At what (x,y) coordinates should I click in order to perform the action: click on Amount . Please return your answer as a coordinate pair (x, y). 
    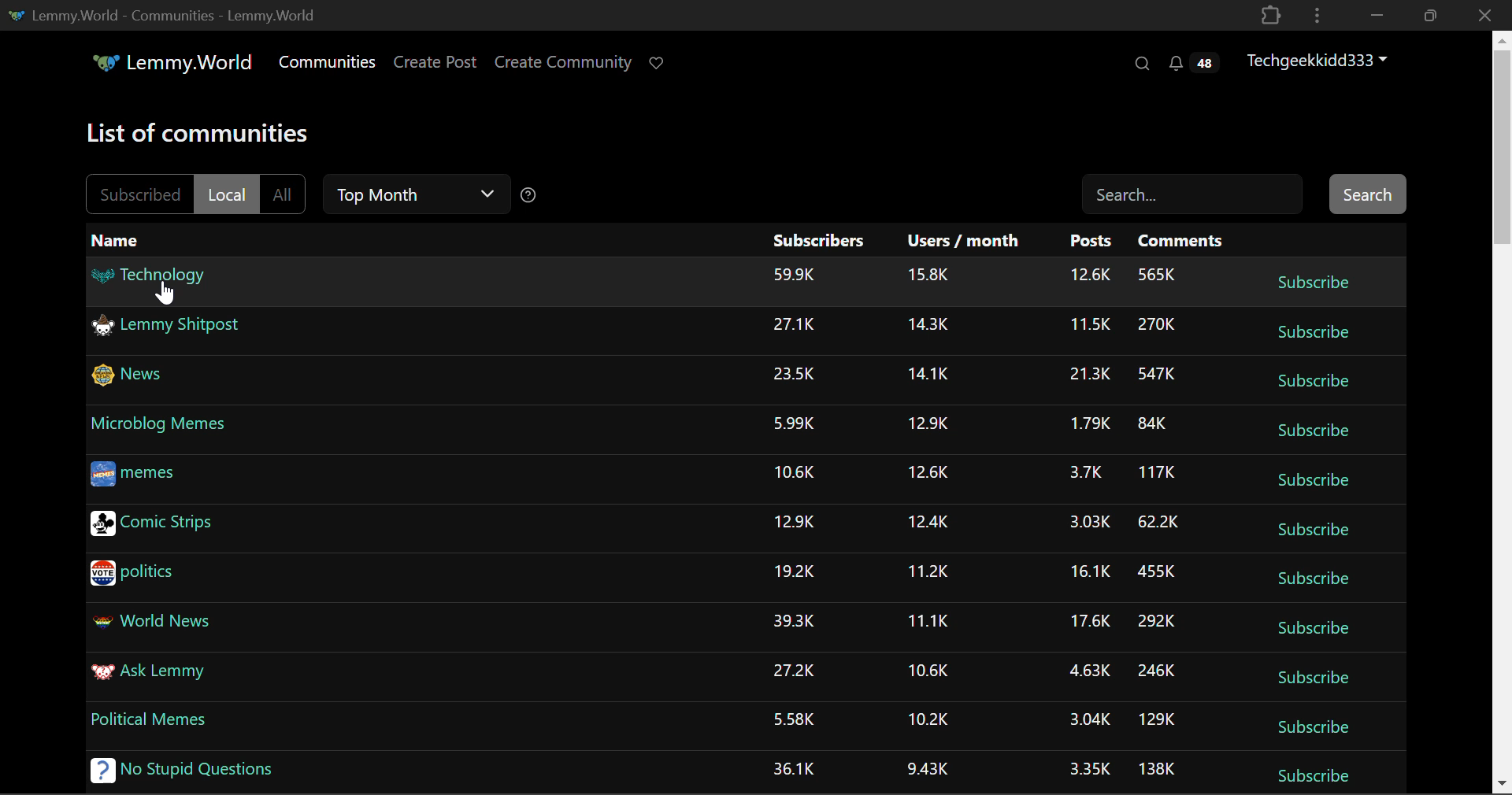
    Looking at the image, I should click on (1161, 376).